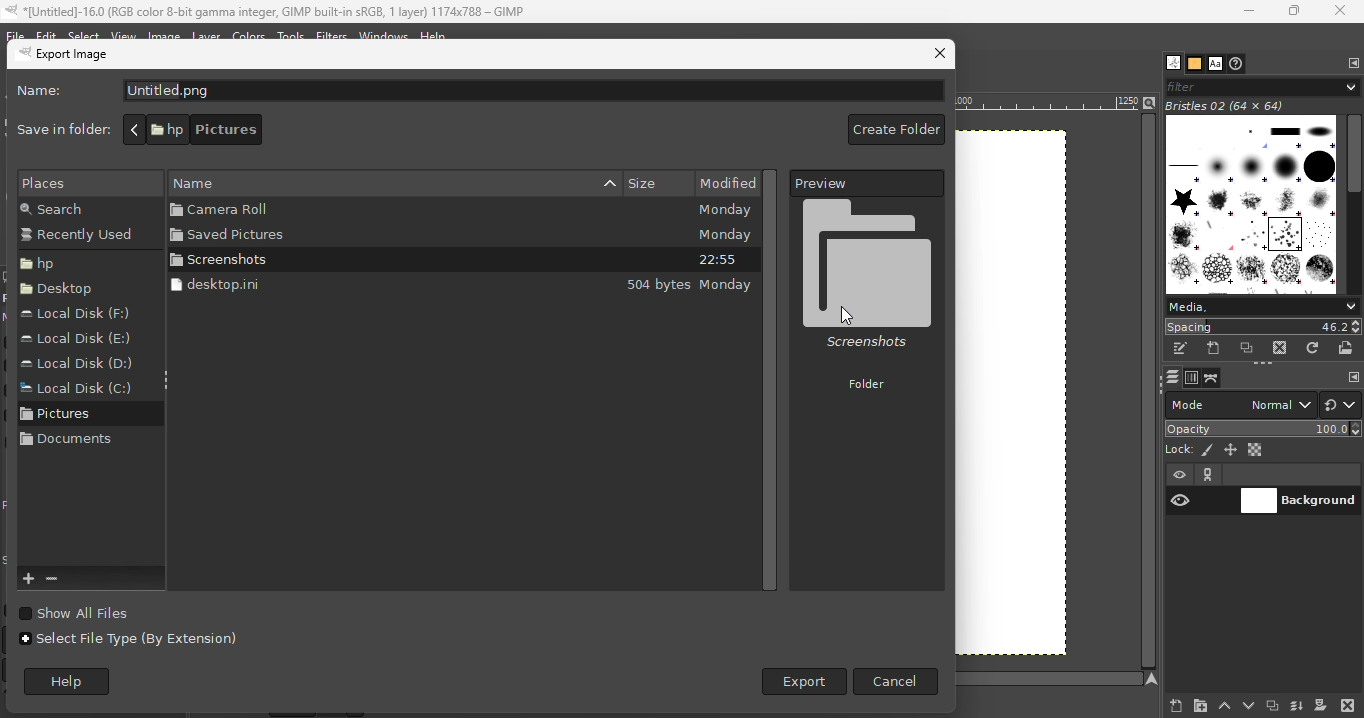  Describe the element at coordinates (81, 237) in the screenshot. I see `Recently used` at that location.